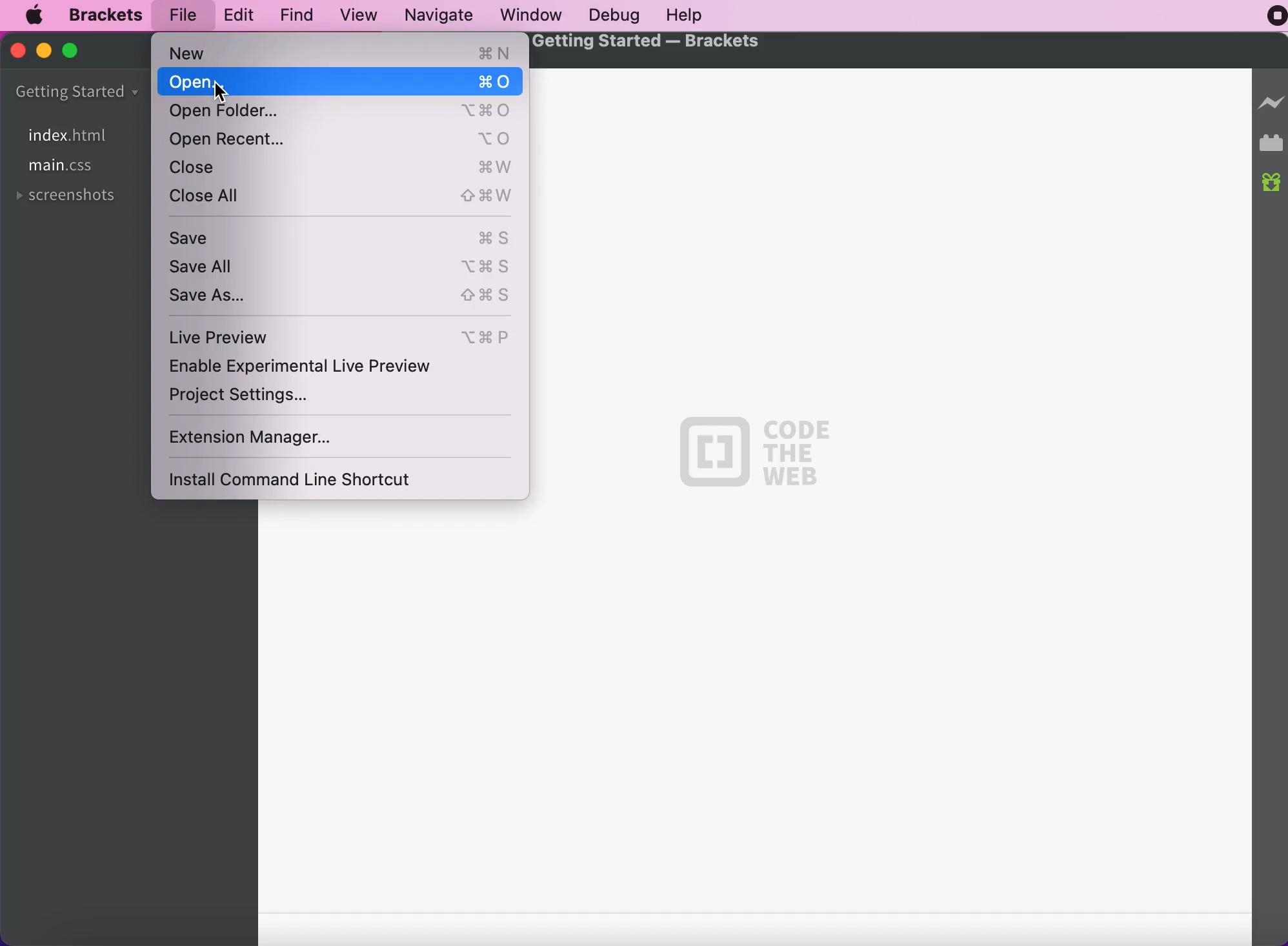 The width and height of the screenshot is (1288, 946). What do you see at coordinates (342, 169) in the screenshot?
I see `close` at bounding box center [342, 169].